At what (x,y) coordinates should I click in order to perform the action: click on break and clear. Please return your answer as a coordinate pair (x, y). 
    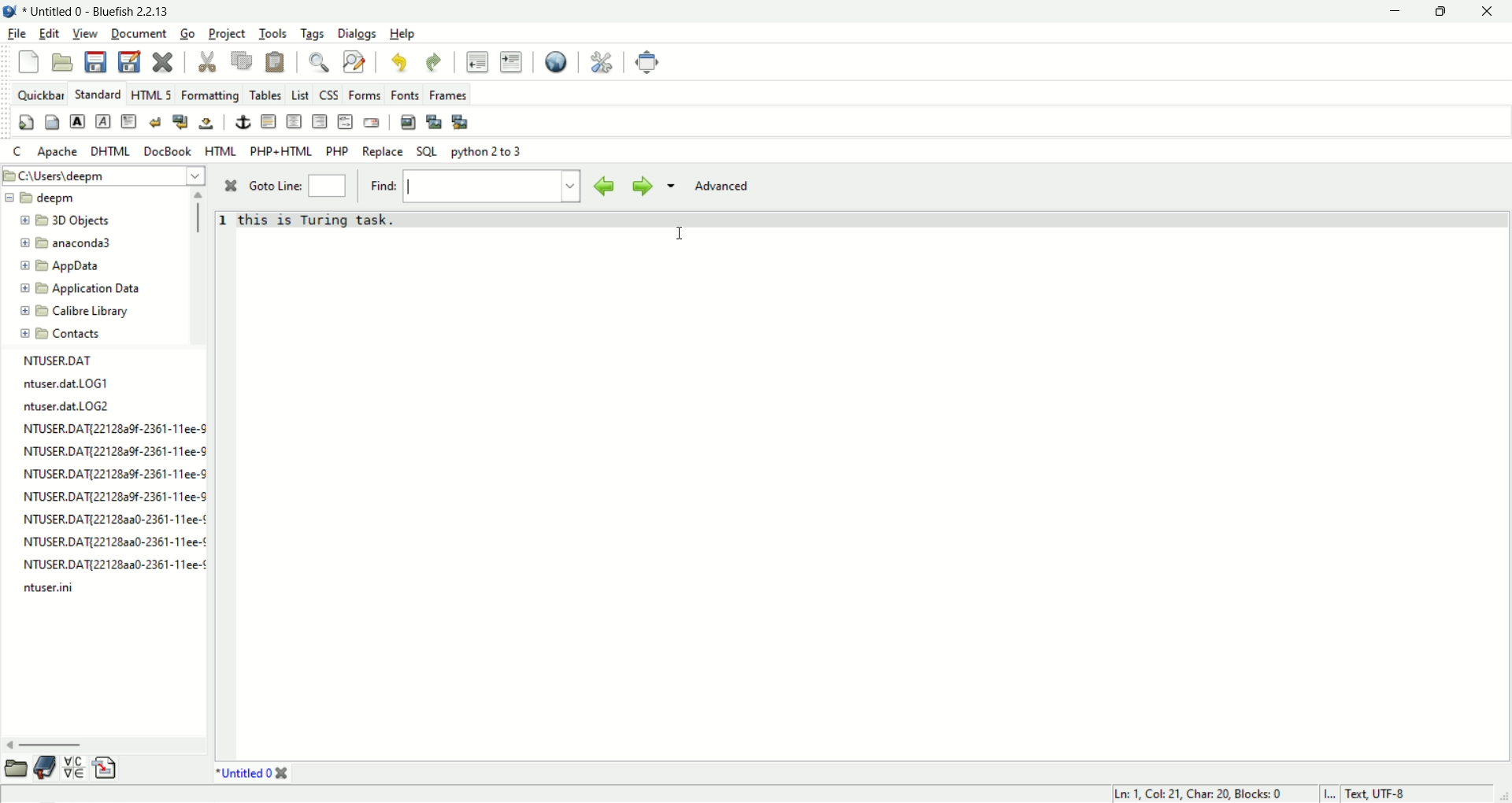
    Looking at the image, I should click on (181, 123).